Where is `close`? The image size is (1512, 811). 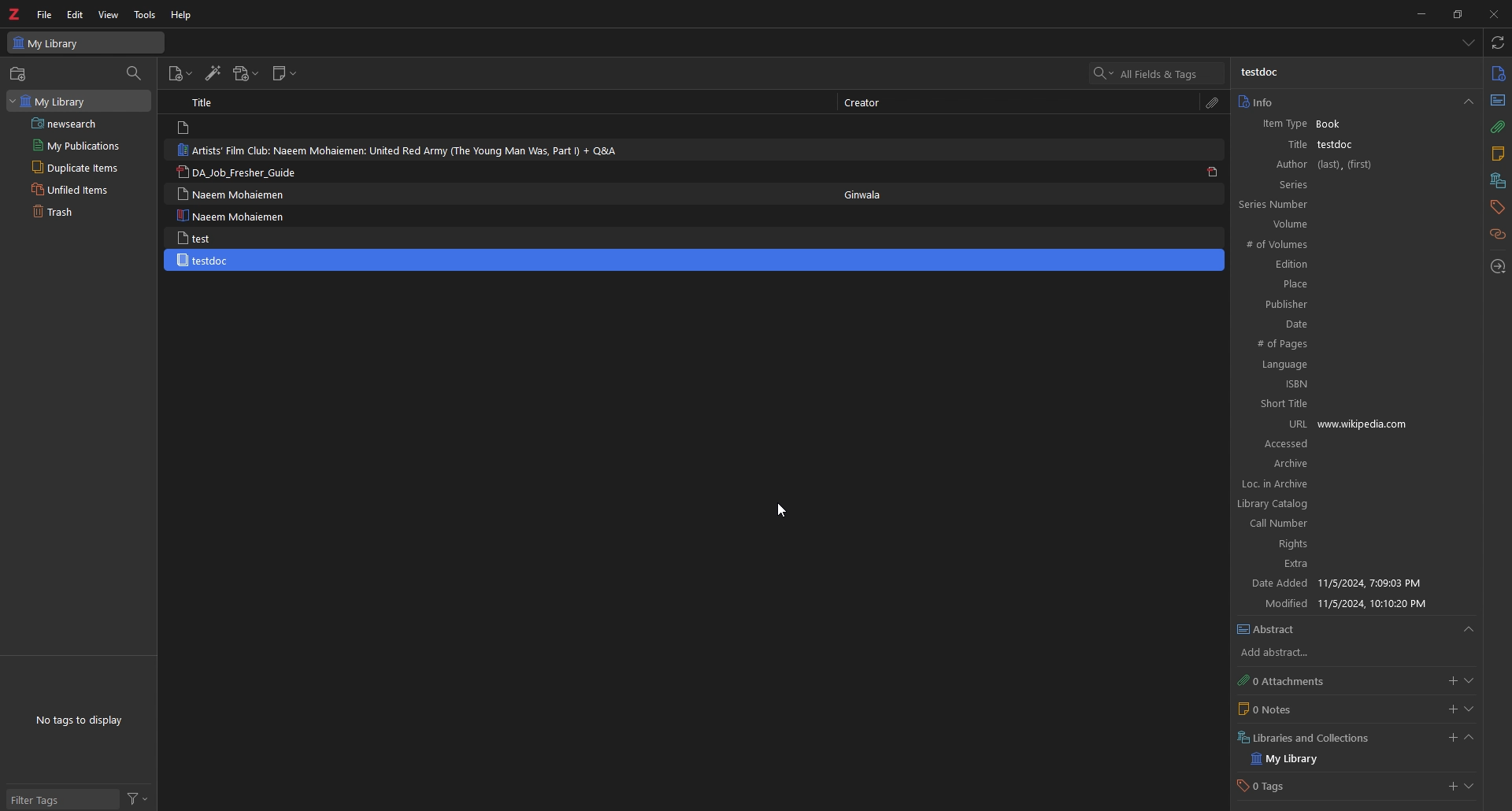
close is located at coordinates (1493, 13).